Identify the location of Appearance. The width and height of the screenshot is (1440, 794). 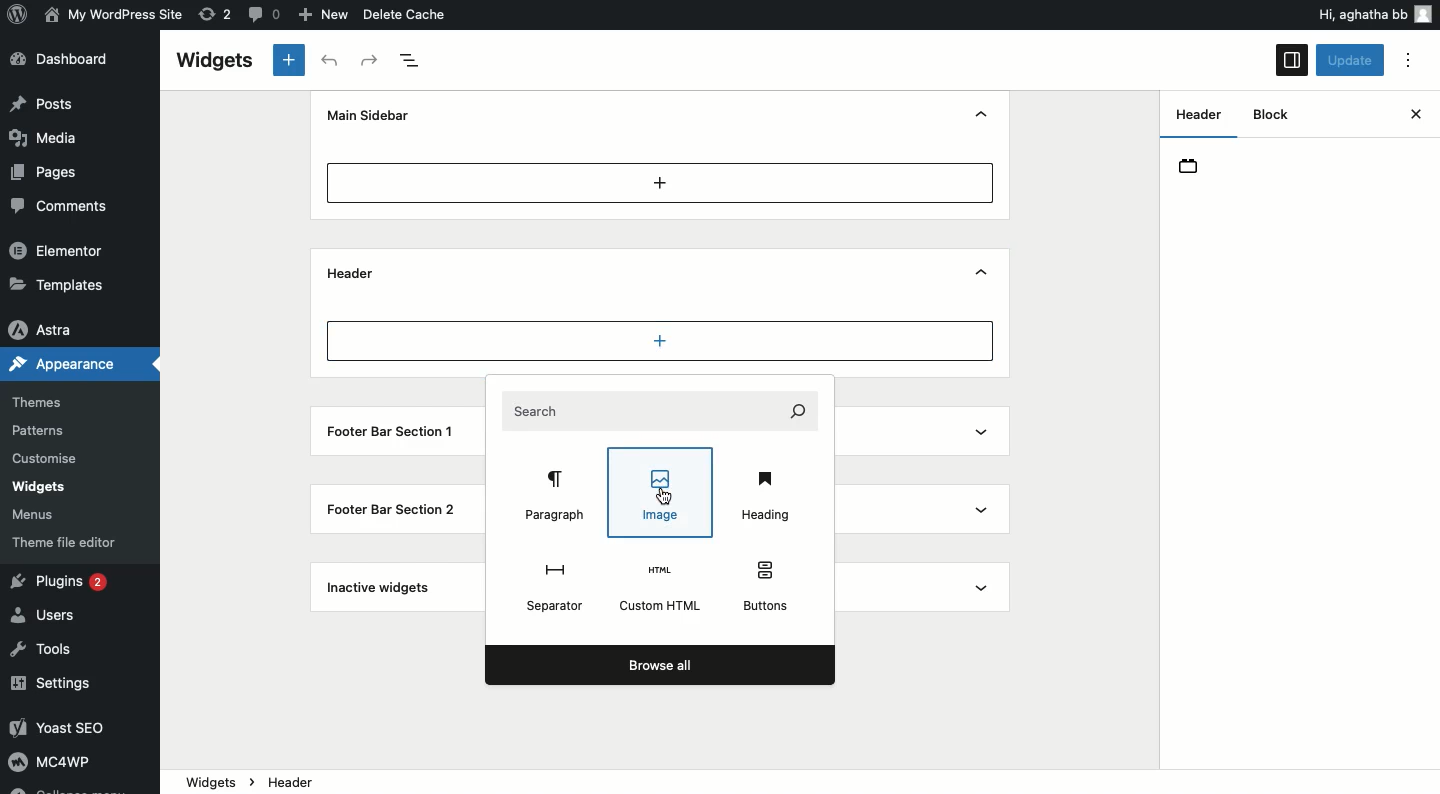
(62, 362).